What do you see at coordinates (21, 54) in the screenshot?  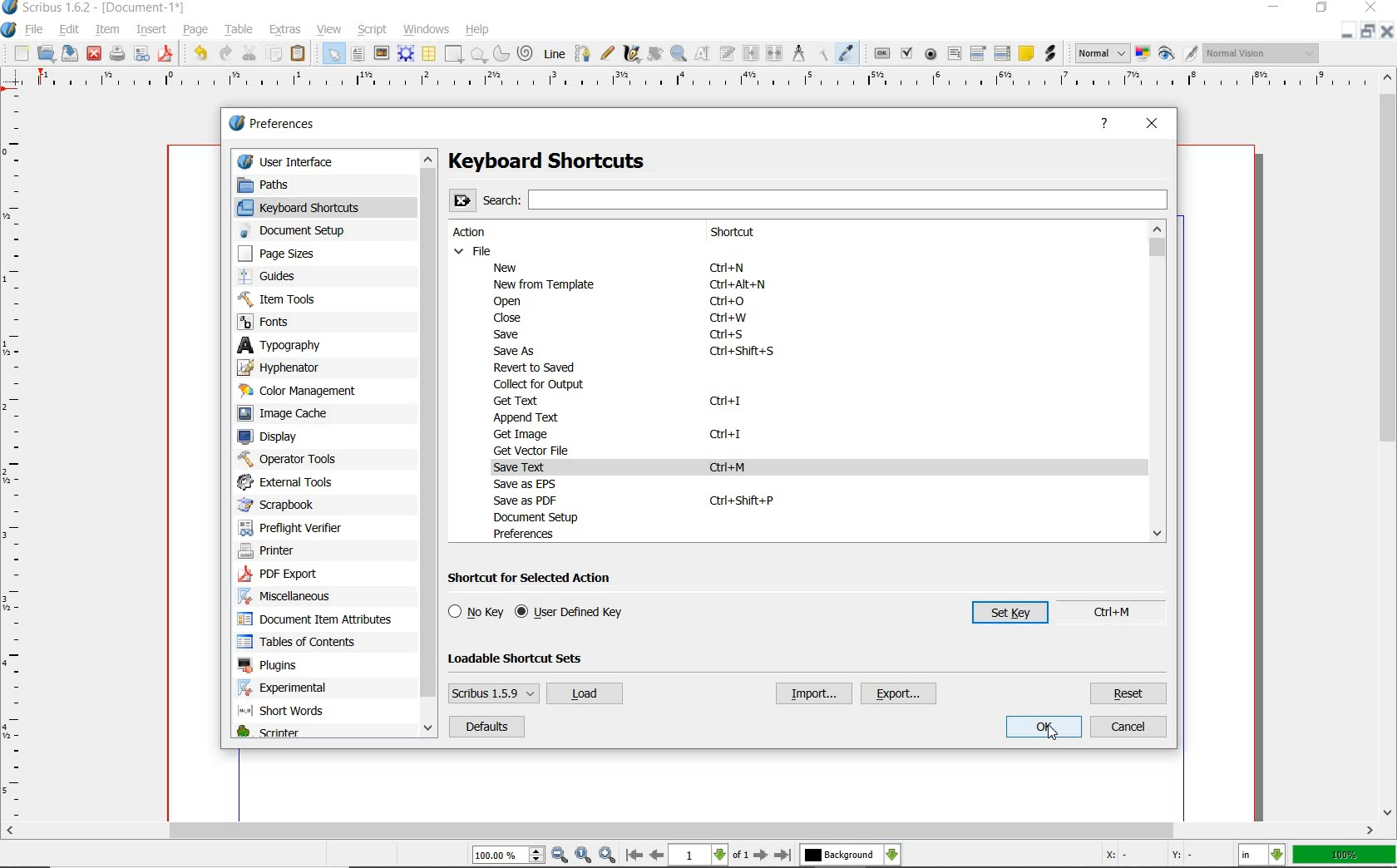 I see `new` at bounding box center [21, 54].